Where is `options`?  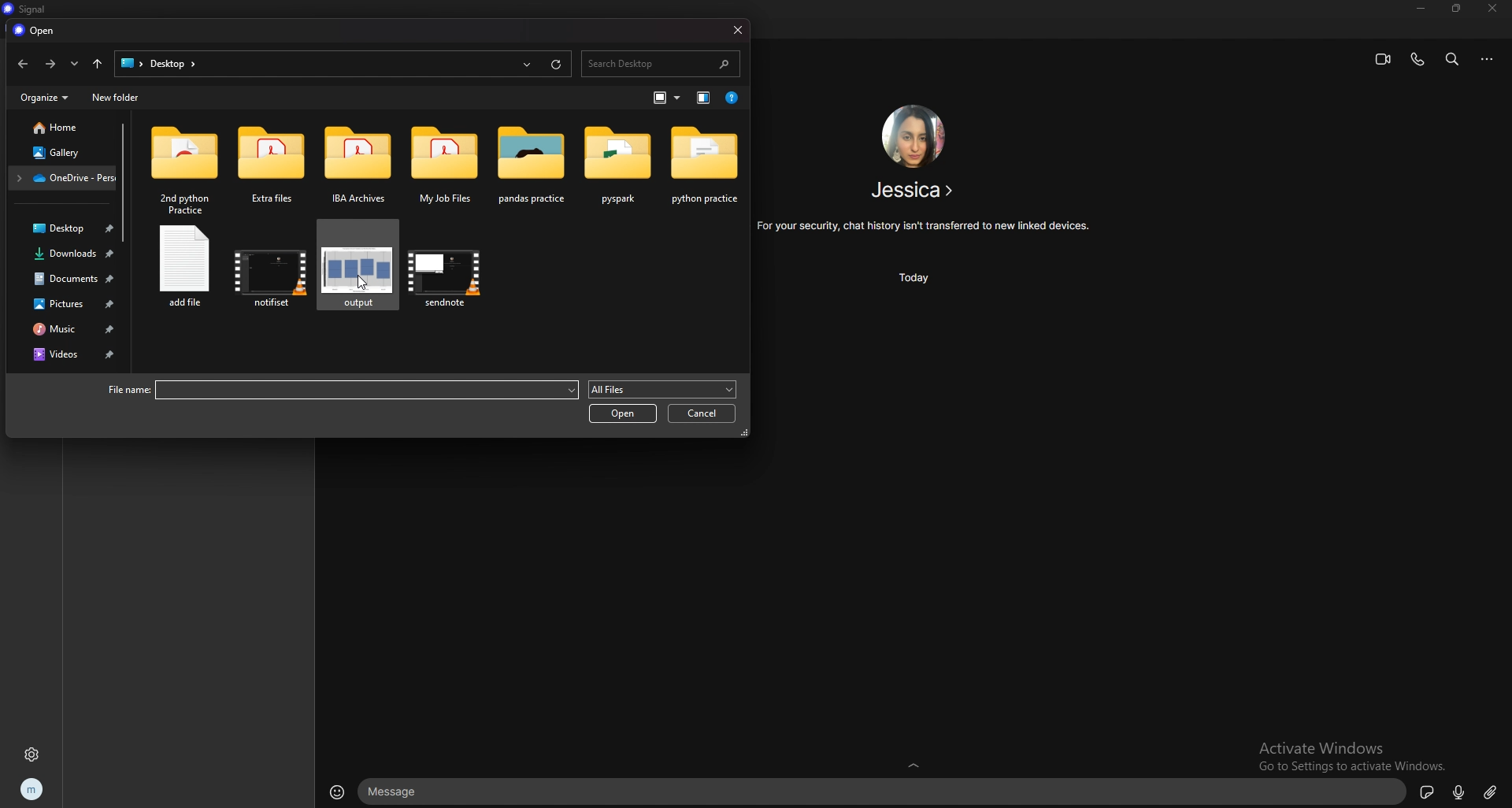
options is located at coordinates (1488, 59).